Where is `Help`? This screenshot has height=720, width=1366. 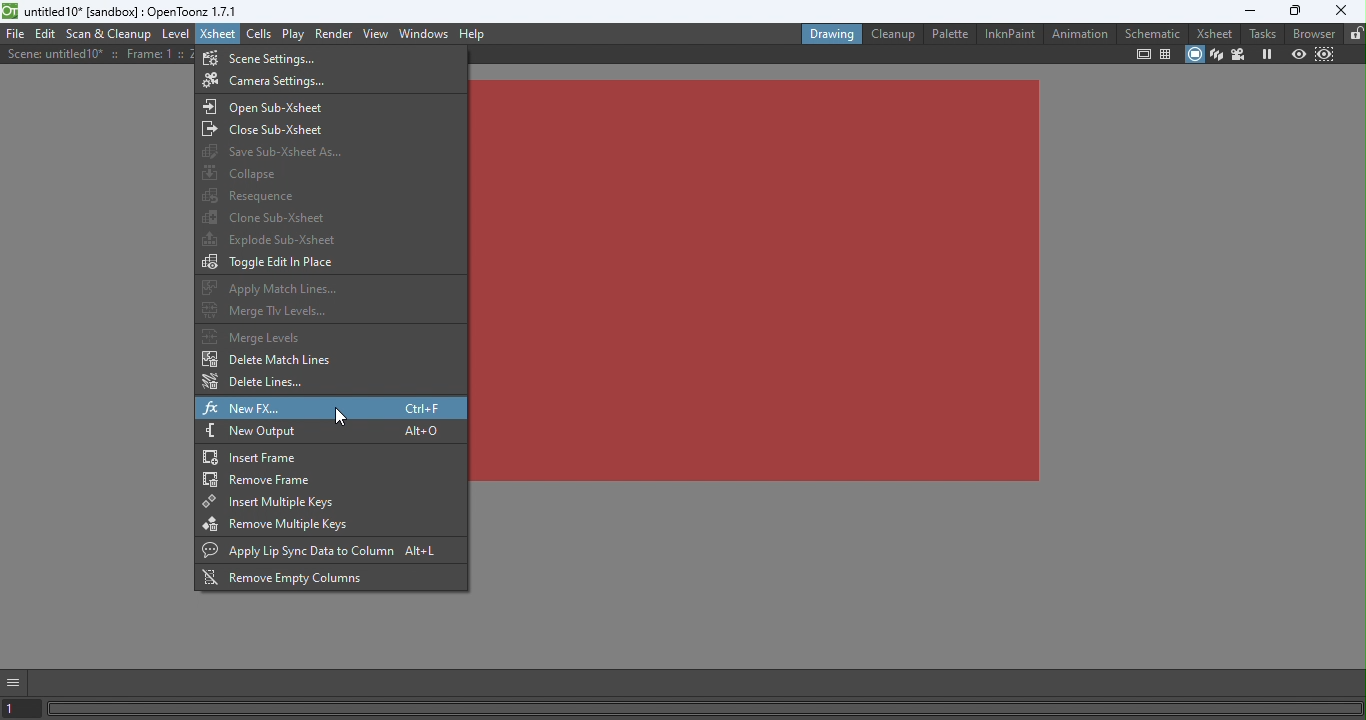 Help is located at coordinates (472, 34).